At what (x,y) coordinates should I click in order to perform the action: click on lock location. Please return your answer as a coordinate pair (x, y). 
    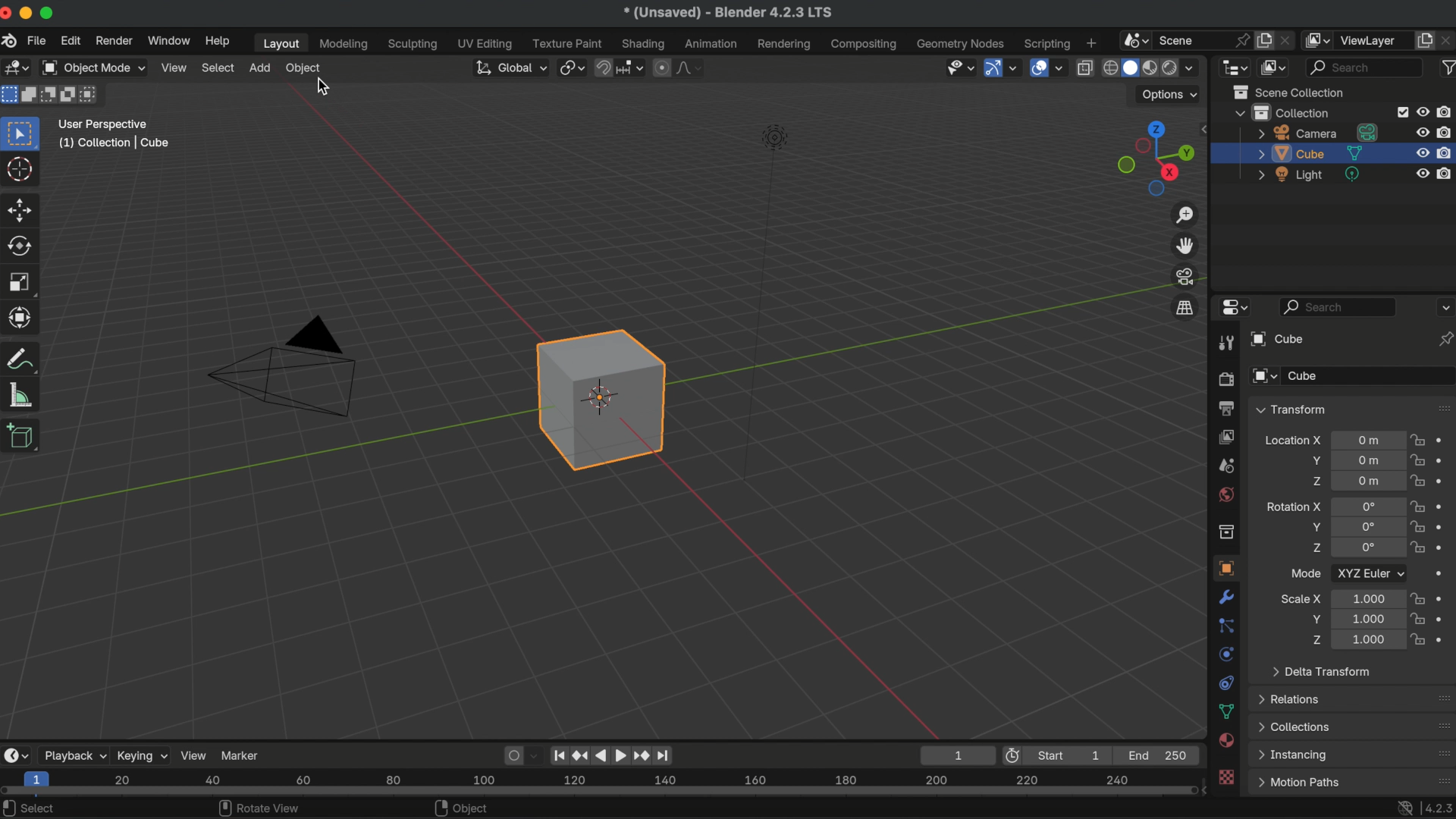
    Looking at the image, I should click on (1418, 481).